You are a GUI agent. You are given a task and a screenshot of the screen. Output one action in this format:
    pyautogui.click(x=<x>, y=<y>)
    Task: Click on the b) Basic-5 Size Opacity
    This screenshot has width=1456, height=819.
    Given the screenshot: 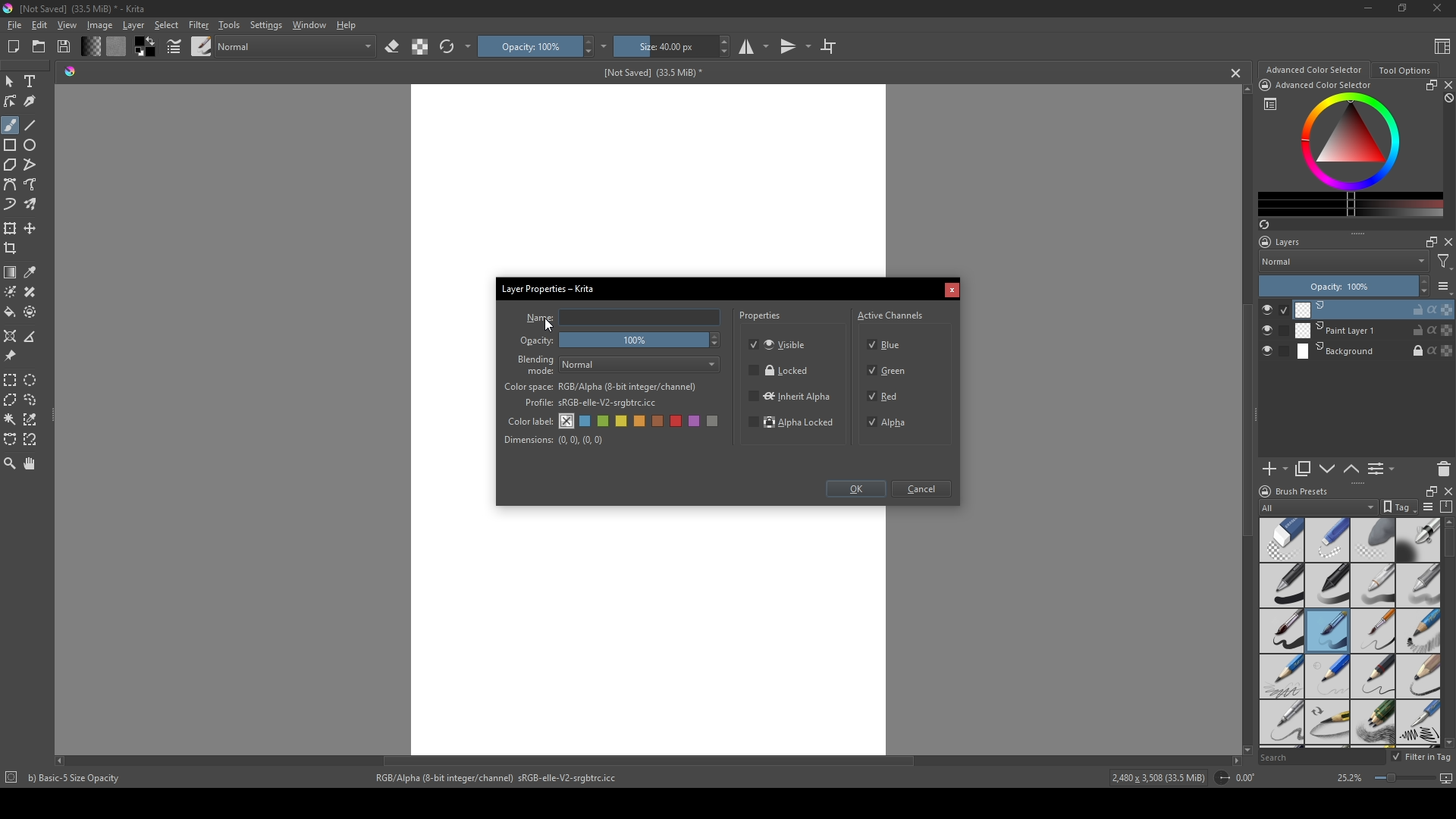 What is the action you would take?
    pyautogui.click(x=77, y=778)
    